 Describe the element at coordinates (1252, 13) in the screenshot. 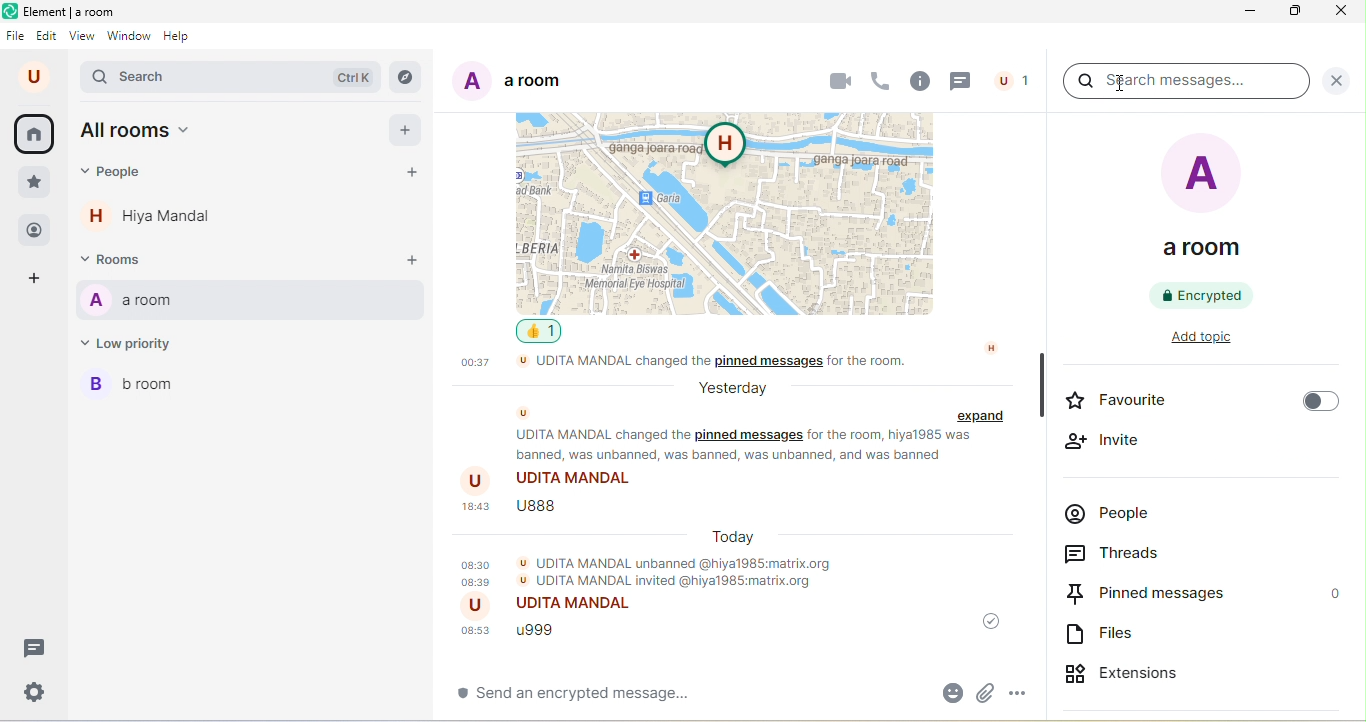

I see `minimize` at that location.